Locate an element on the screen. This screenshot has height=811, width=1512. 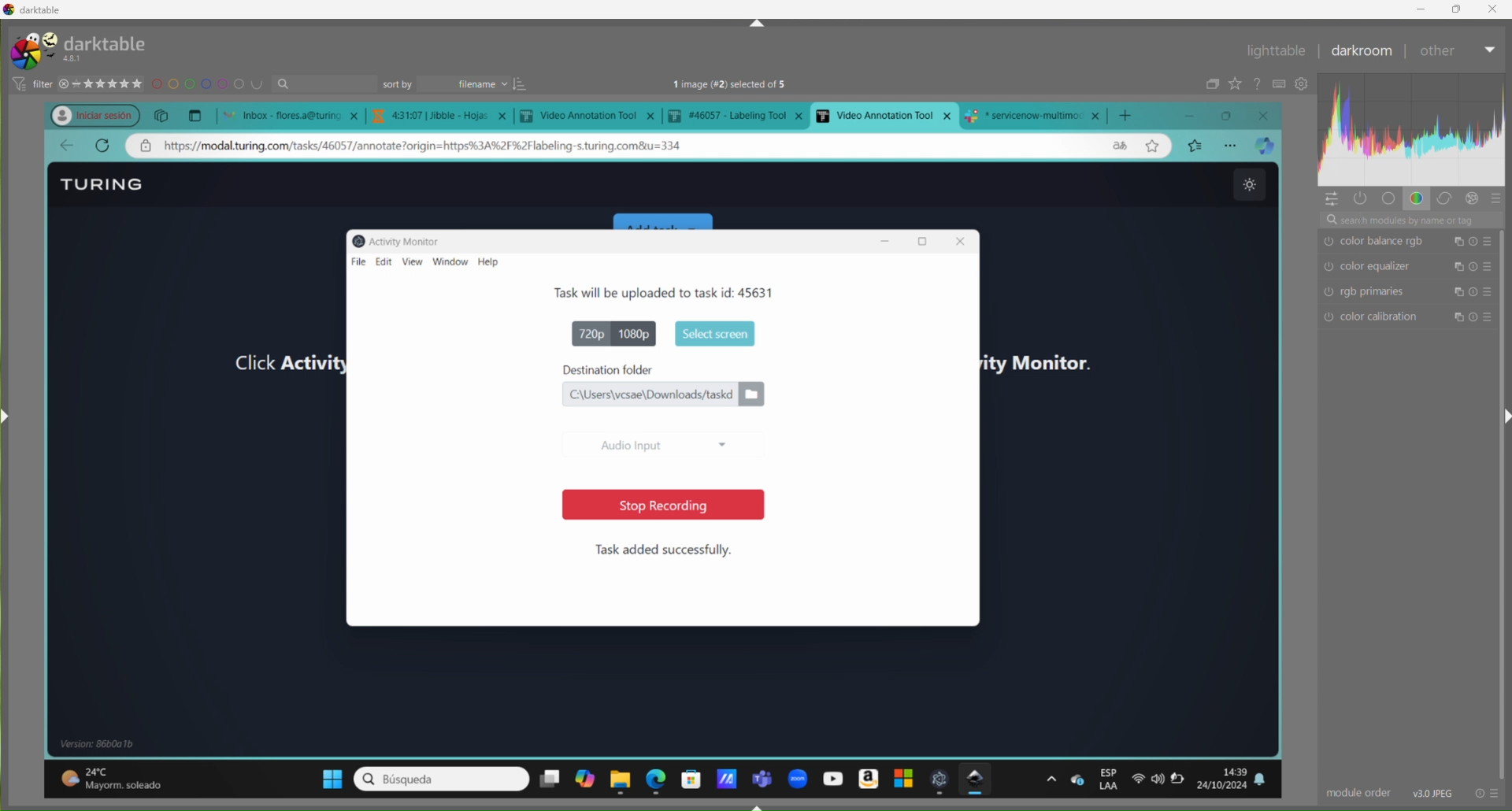
web address is located at coordinates (443, 146).